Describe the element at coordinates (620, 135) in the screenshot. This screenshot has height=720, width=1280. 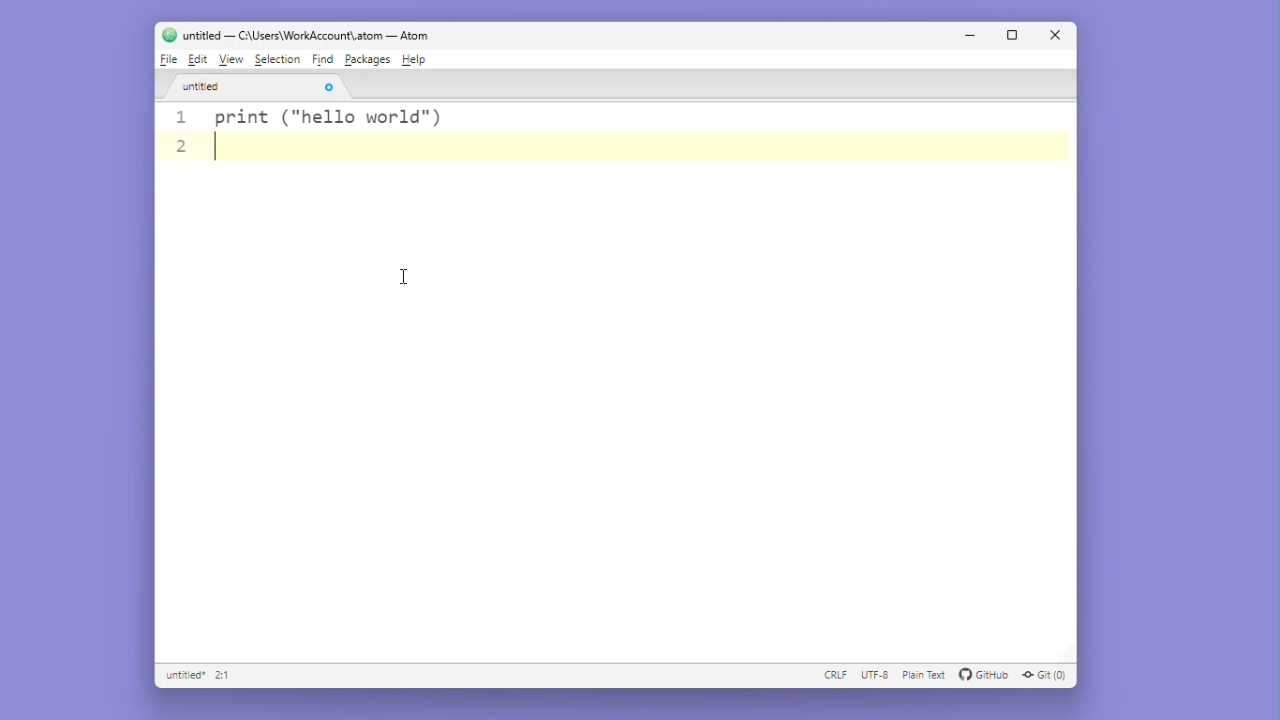
I see `1 print ("hello world" ) 2` at that location.